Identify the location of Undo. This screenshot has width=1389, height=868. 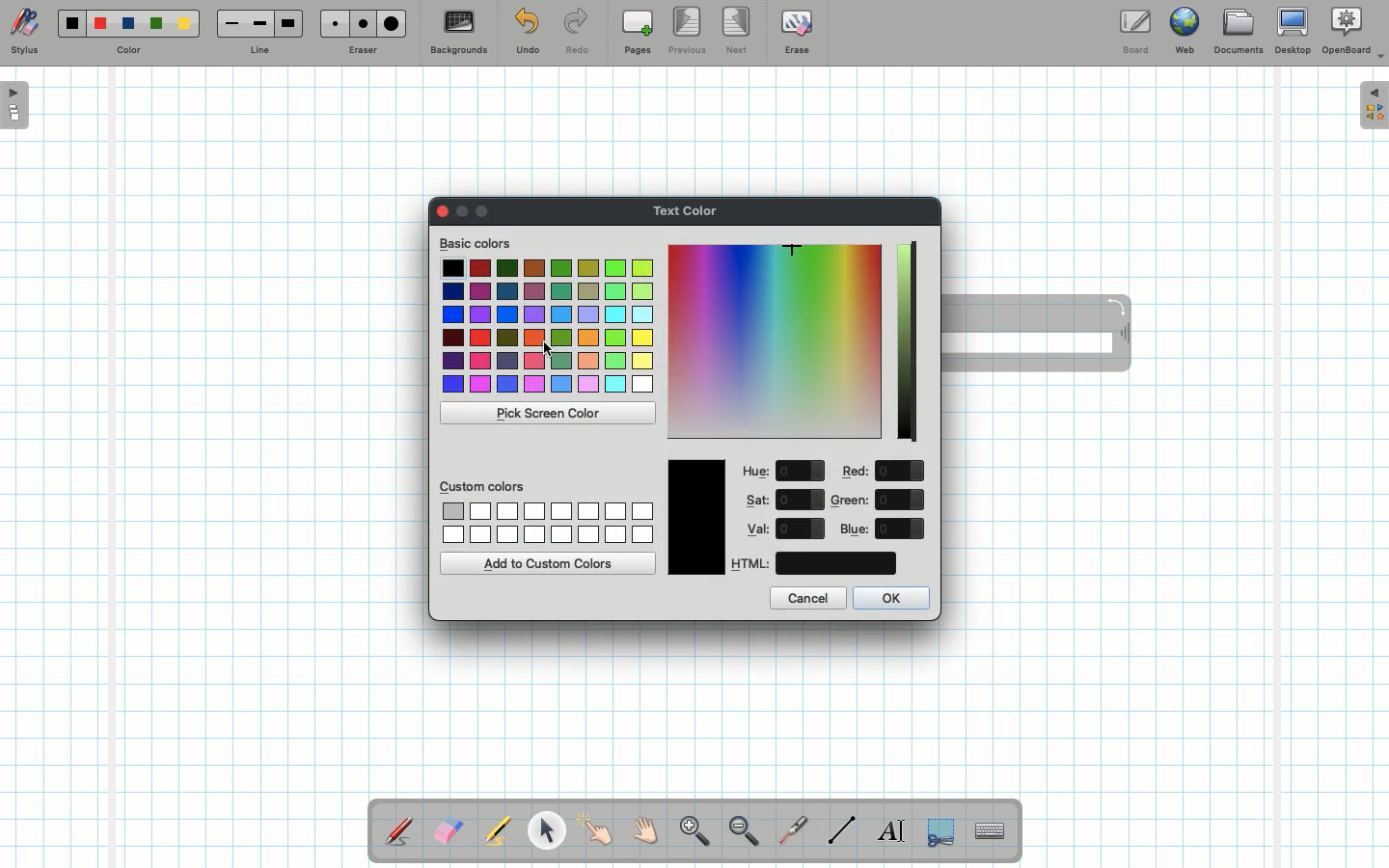
(527, 35).